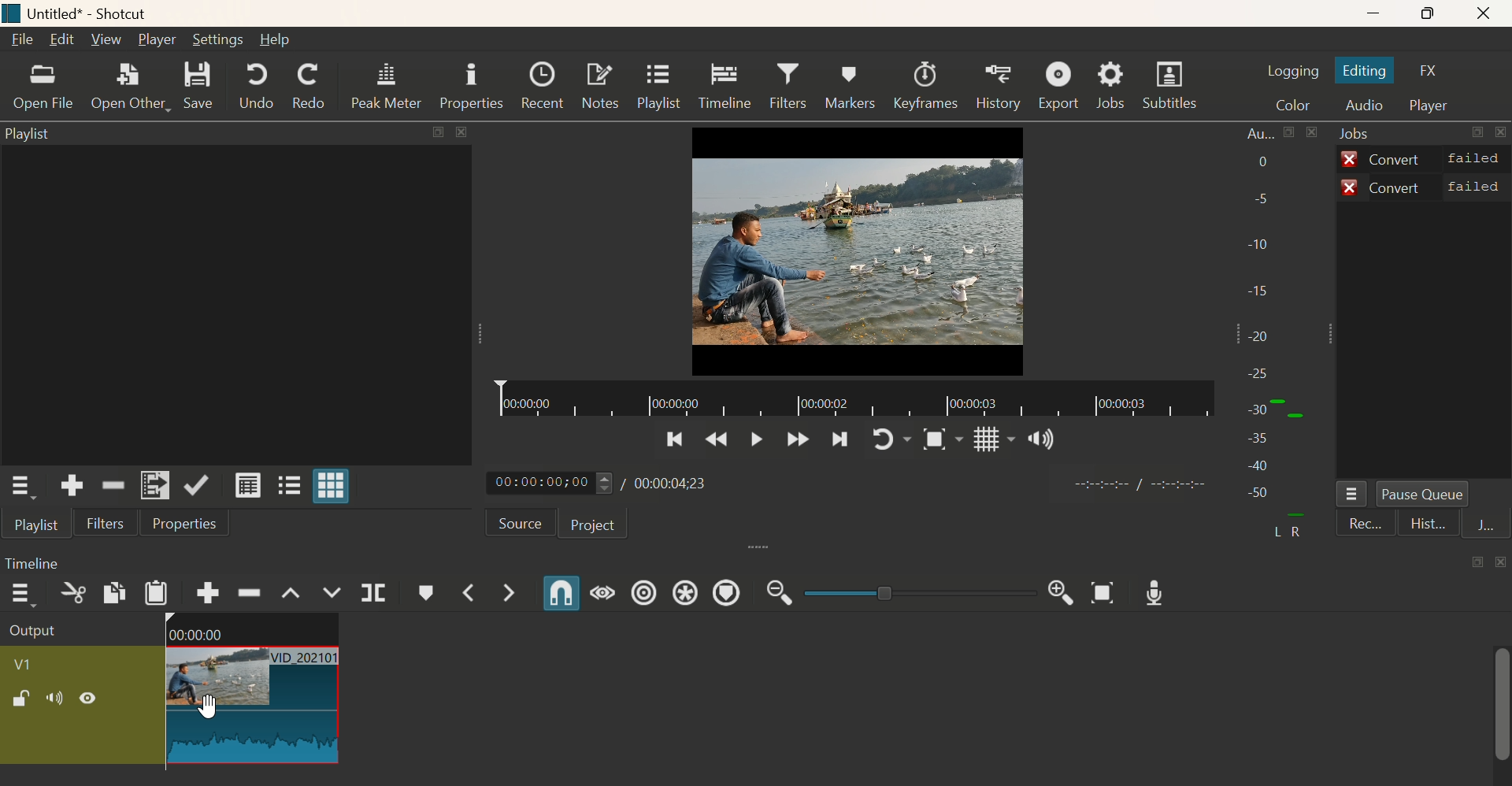  Describe the element at coordinates (939, 442) in the screenshot. I see `Snap` at that location.